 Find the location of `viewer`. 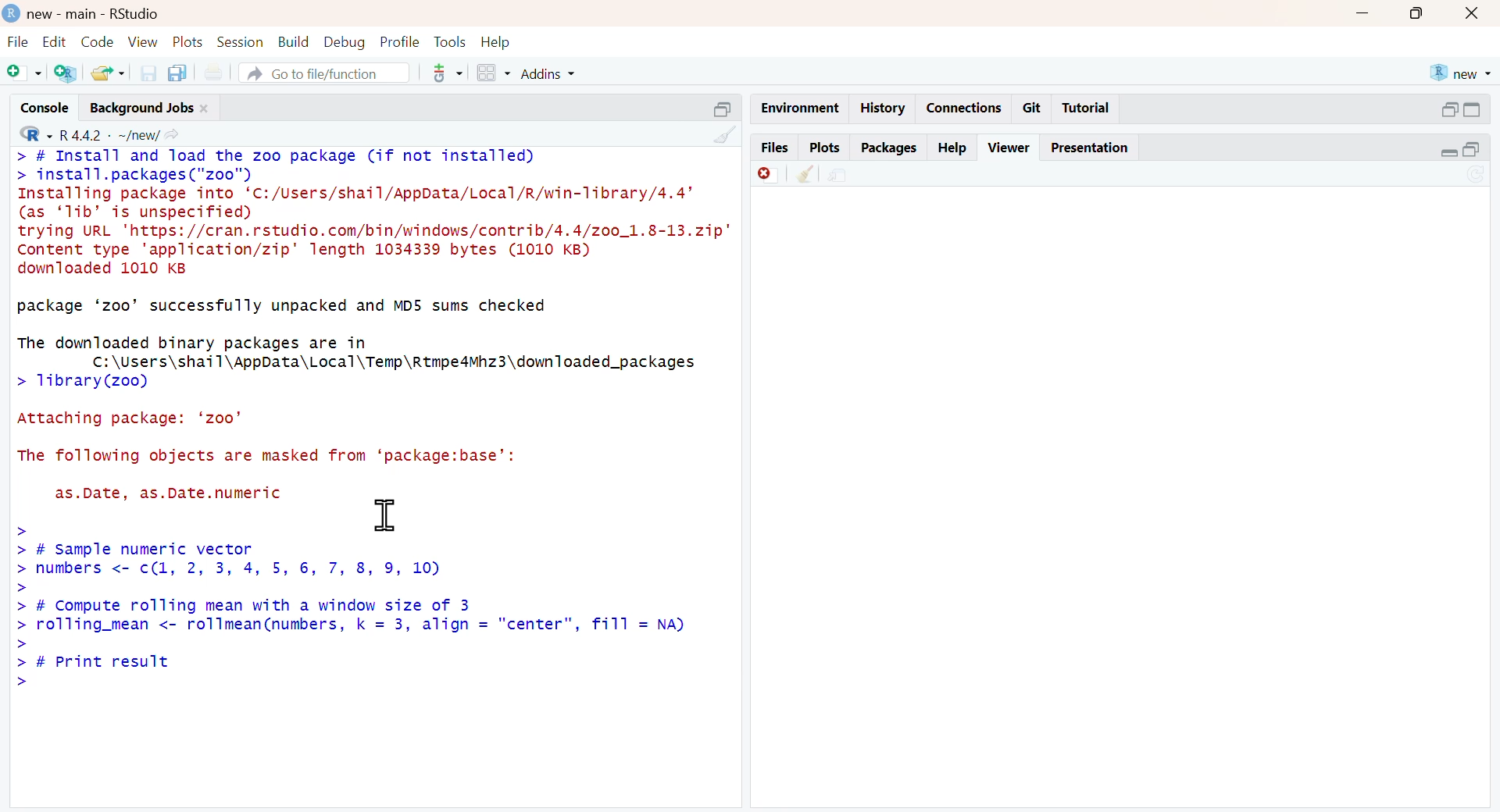

viewer is located at coordinates (1011, 148).